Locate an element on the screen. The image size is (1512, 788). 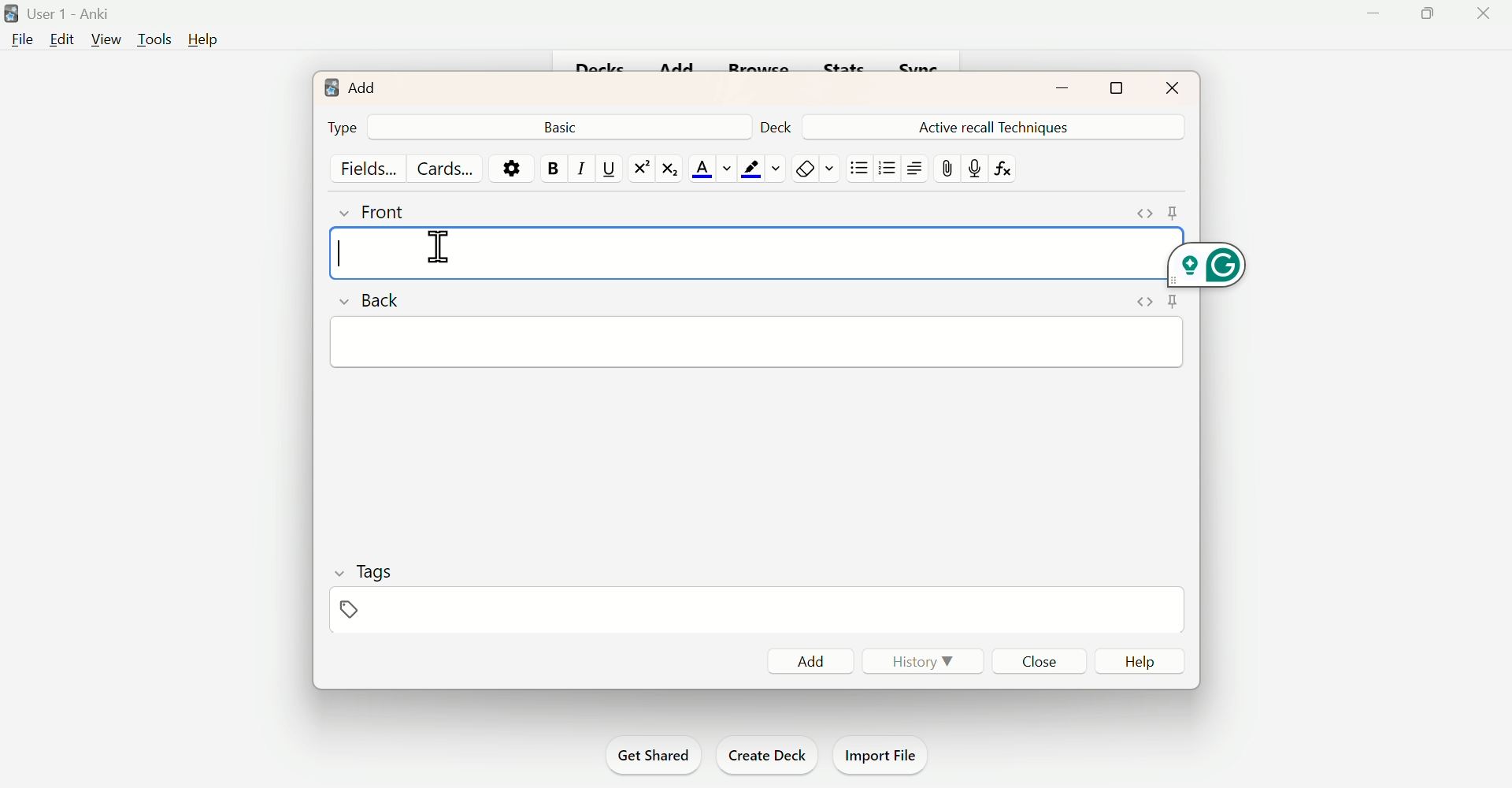
Fields... is located at coordinates (368, 167).